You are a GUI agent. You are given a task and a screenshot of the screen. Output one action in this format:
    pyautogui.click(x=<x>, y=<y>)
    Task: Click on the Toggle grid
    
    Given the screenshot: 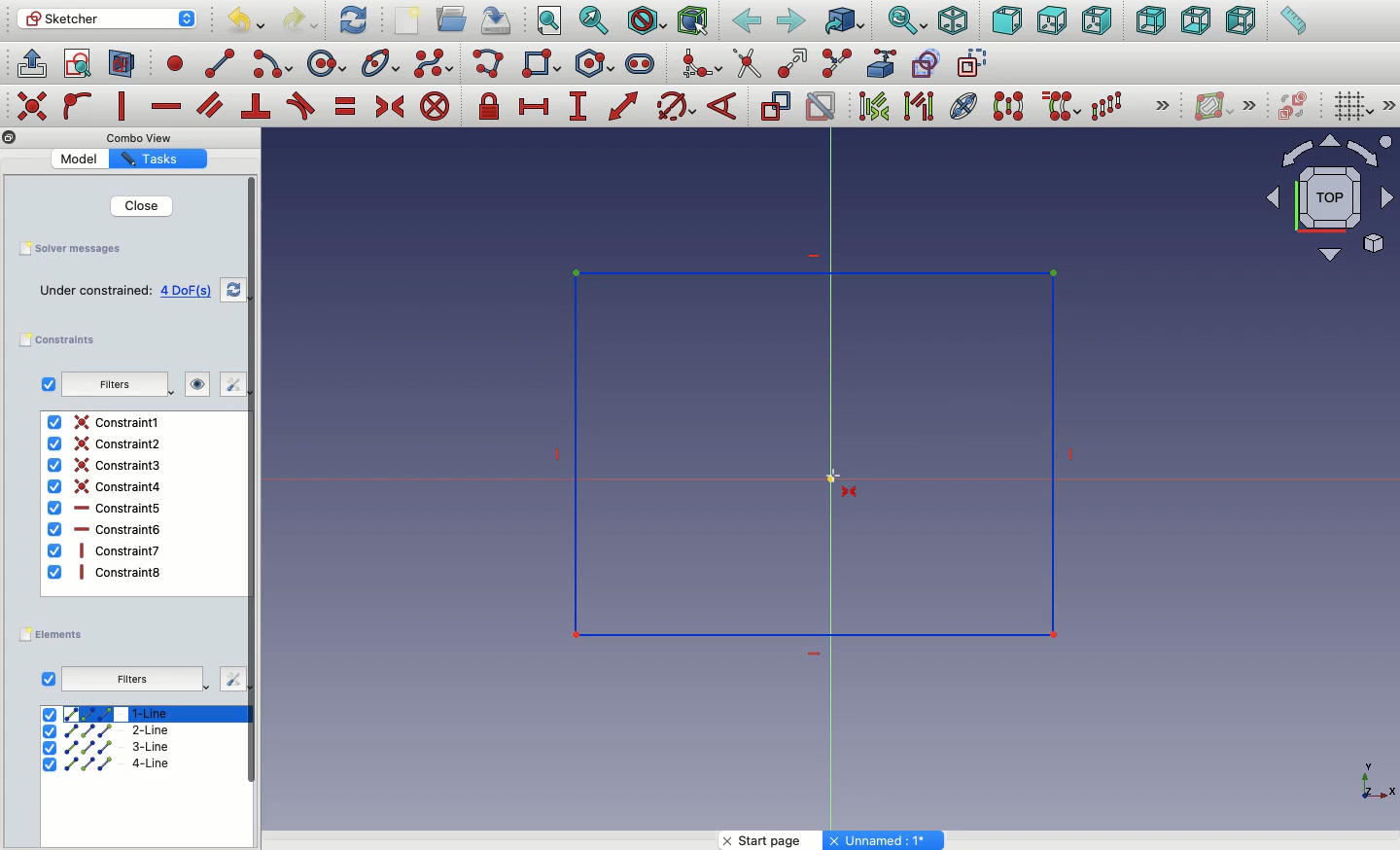 What is the action you would take?
    pyautogui.click(x=1351, y=105)
    